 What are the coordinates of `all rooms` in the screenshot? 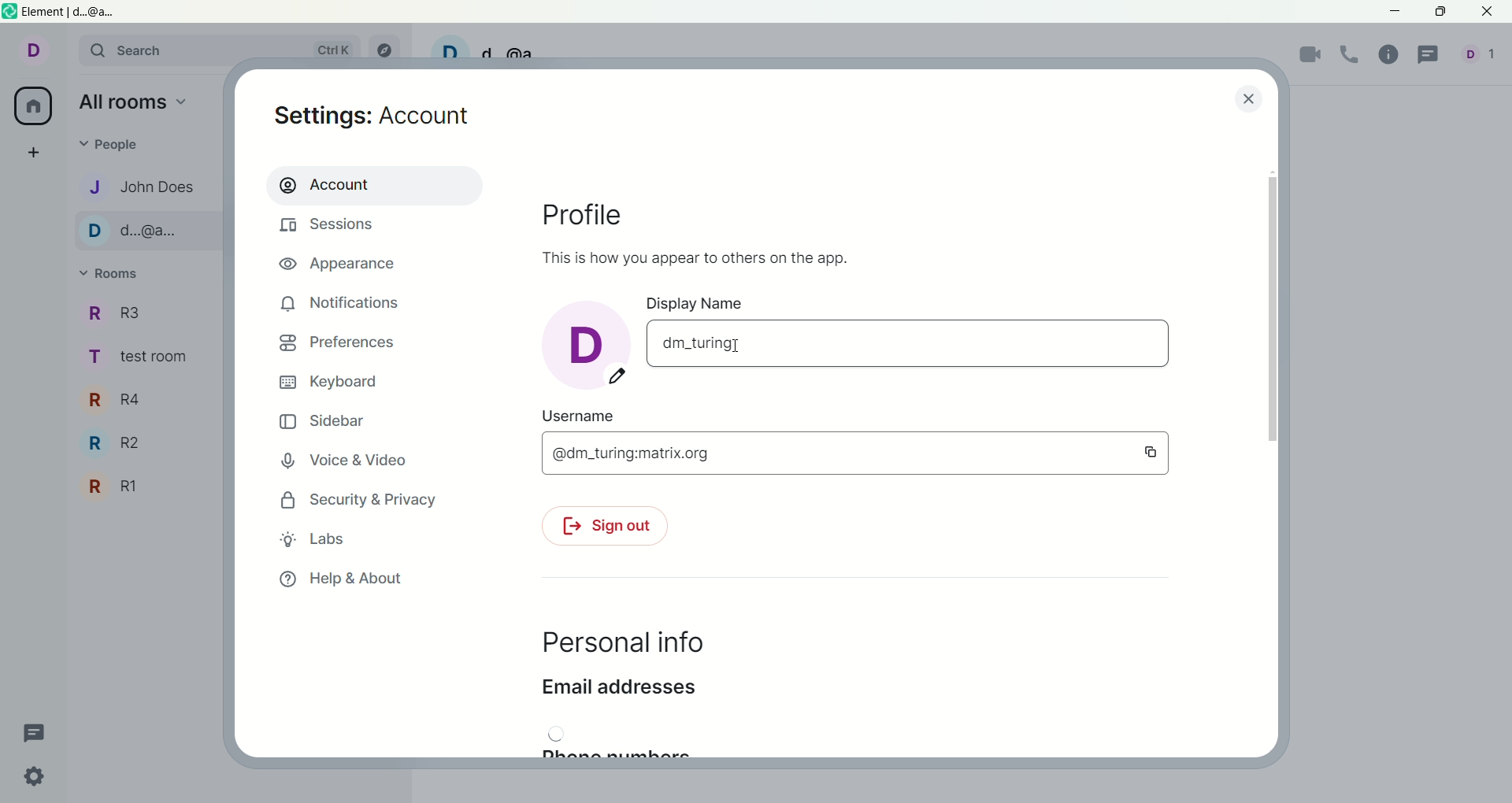 It's located at (135, 105).